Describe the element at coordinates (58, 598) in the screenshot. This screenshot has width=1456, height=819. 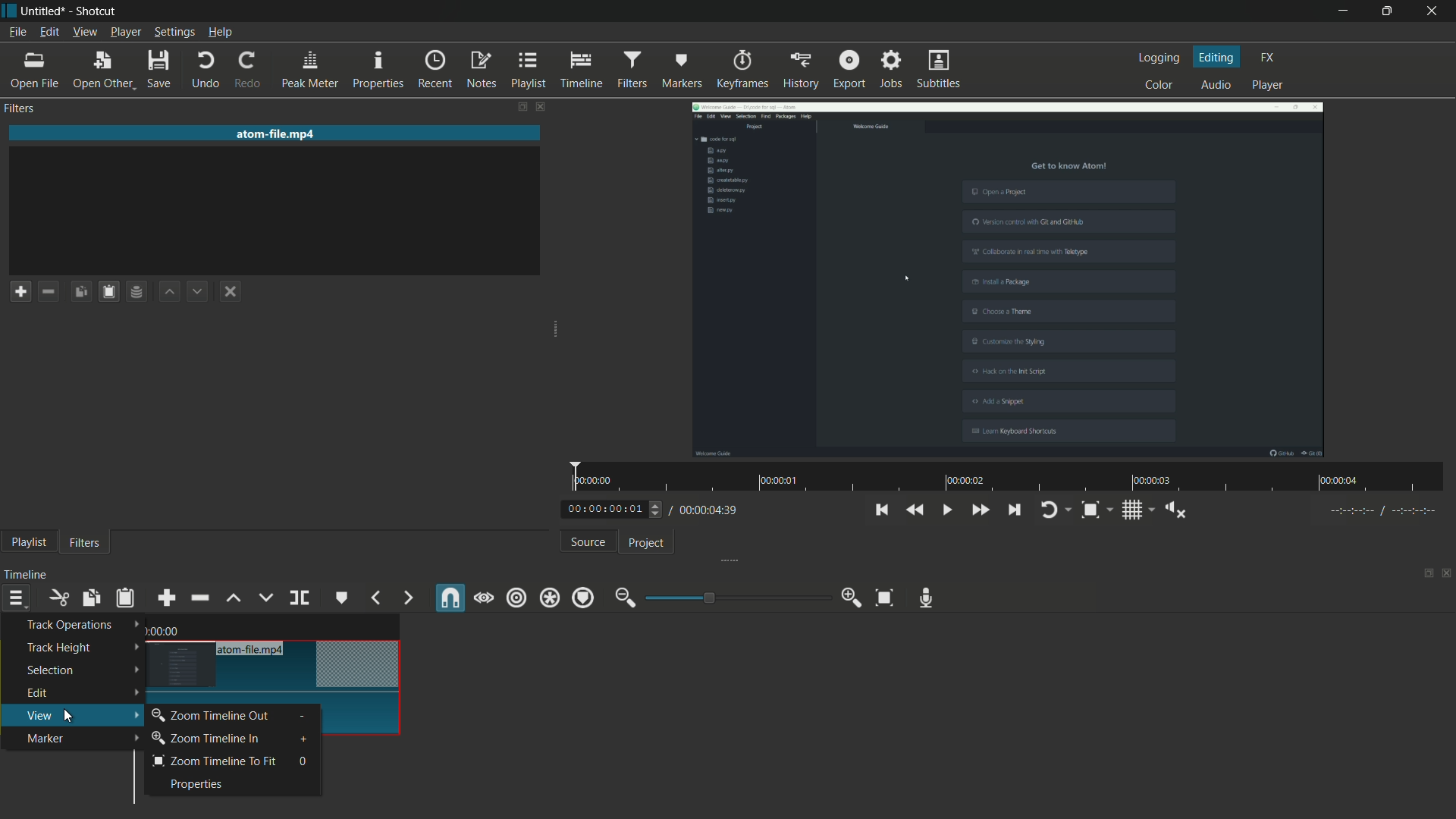
I see `cut` at that location.